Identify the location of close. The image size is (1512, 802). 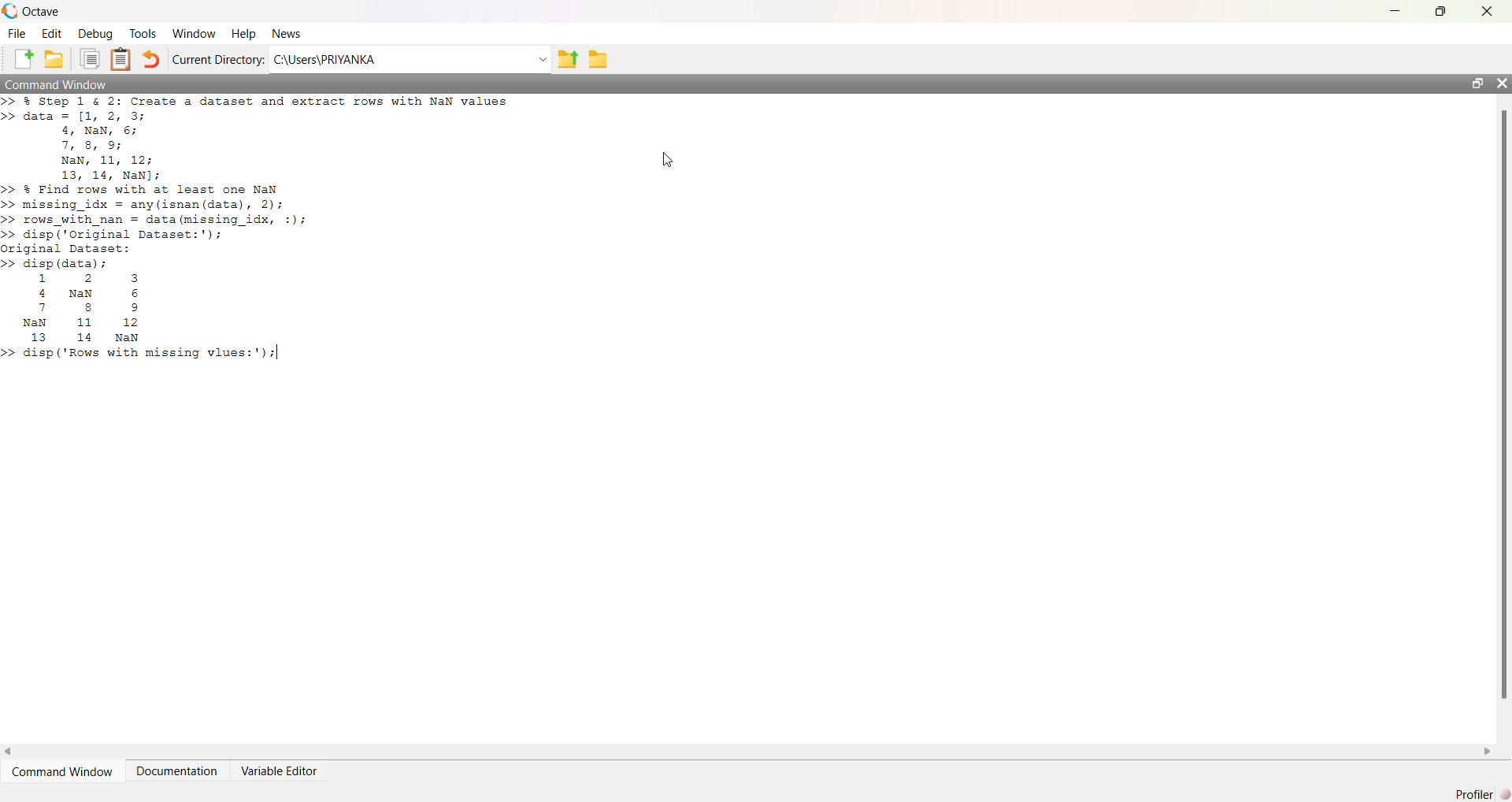
(1488, 12).